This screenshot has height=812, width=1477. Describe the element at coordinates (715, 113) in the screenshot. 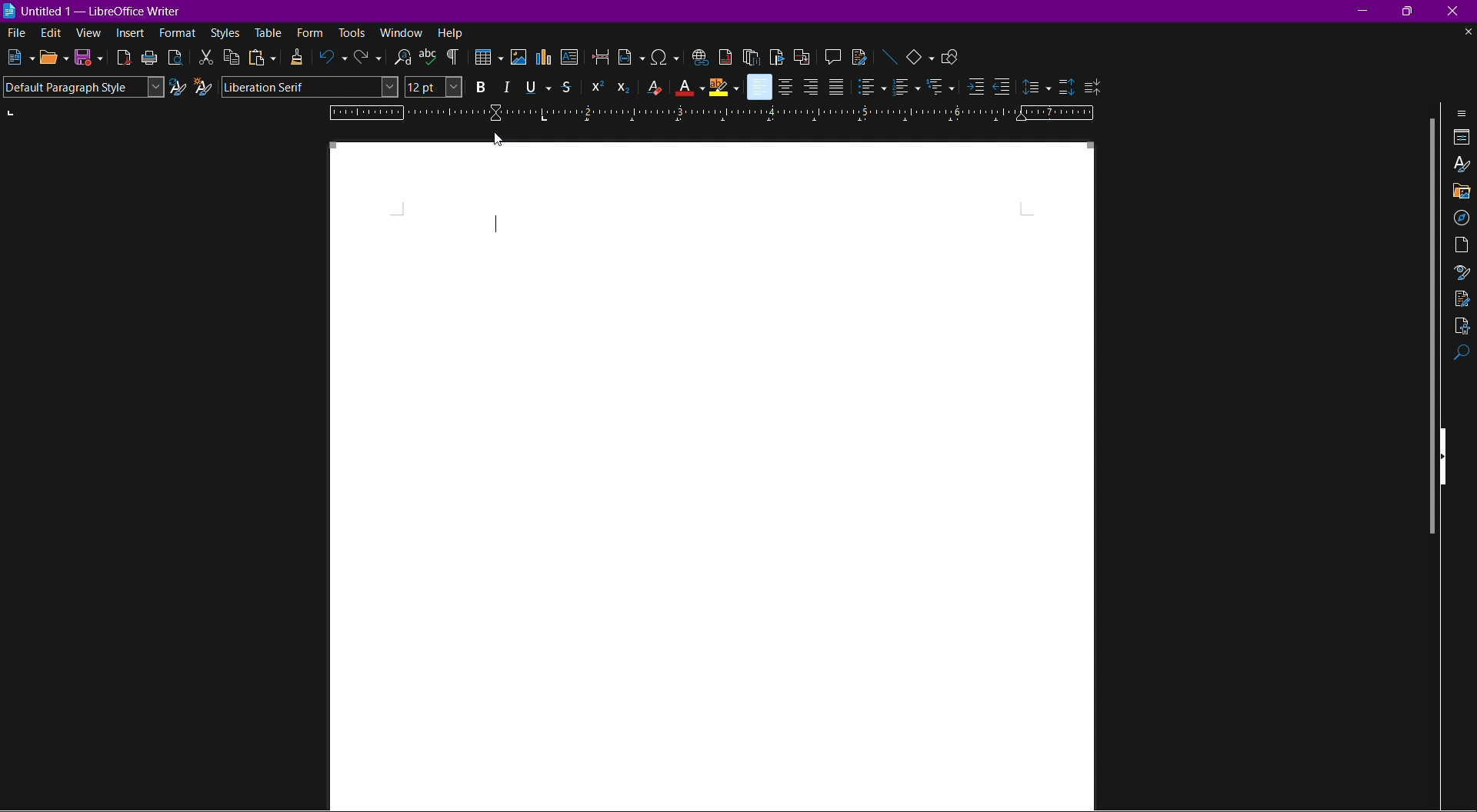

I see `Scale` at that location.